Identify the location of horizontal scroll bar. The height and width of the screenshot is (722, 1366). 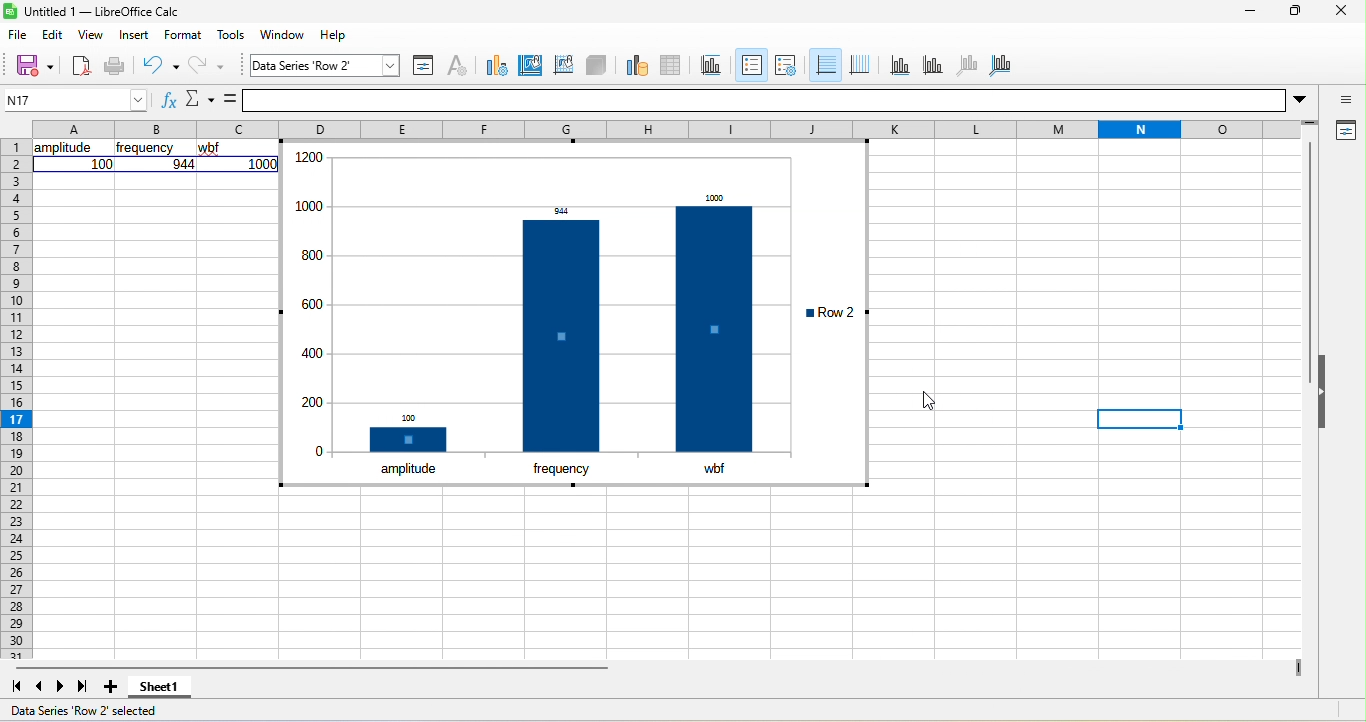
(313, 667).